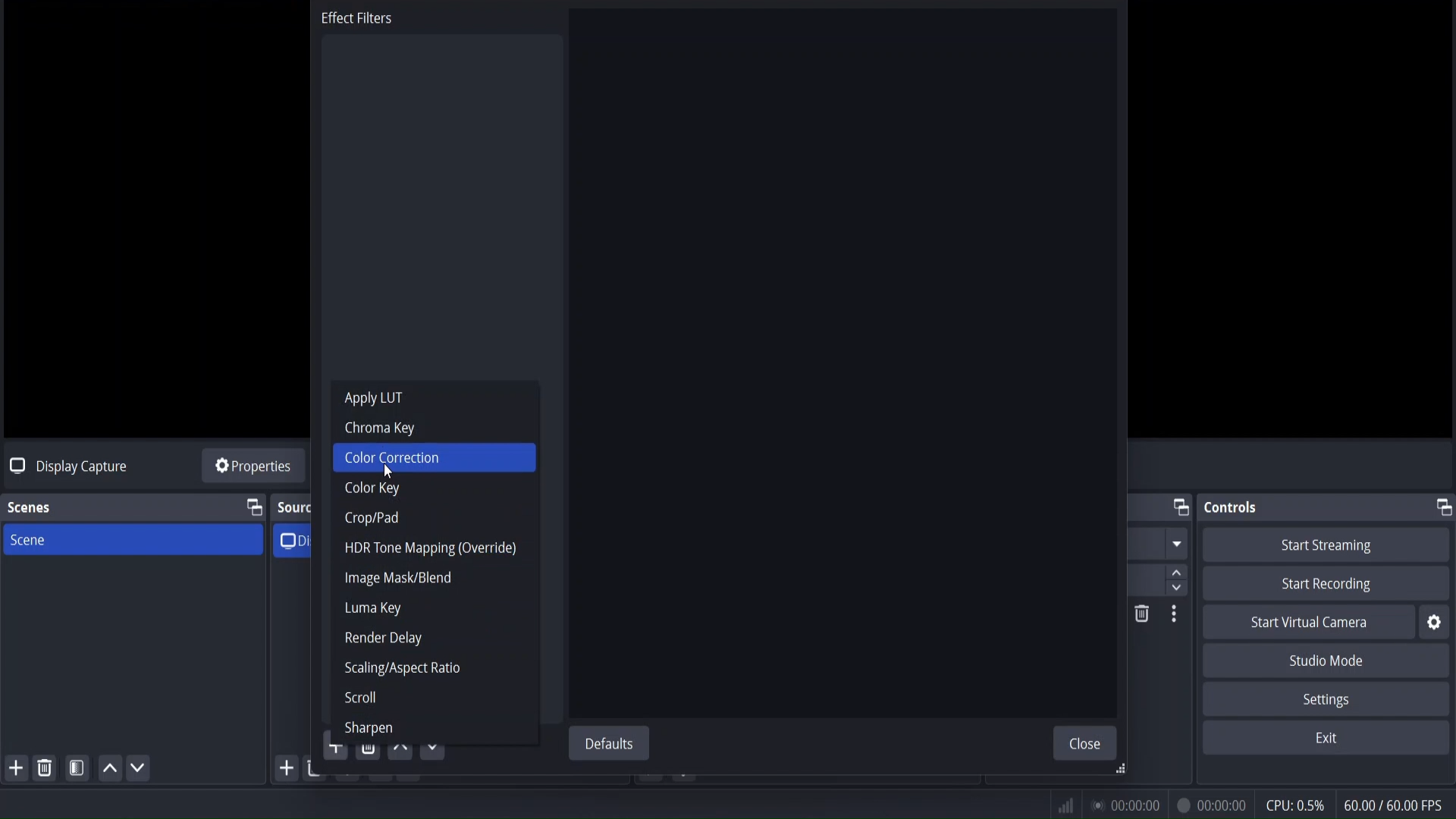  Describe the element at coordinates (1294, 805) in the screenshot. I see `cpu usage` at that location.